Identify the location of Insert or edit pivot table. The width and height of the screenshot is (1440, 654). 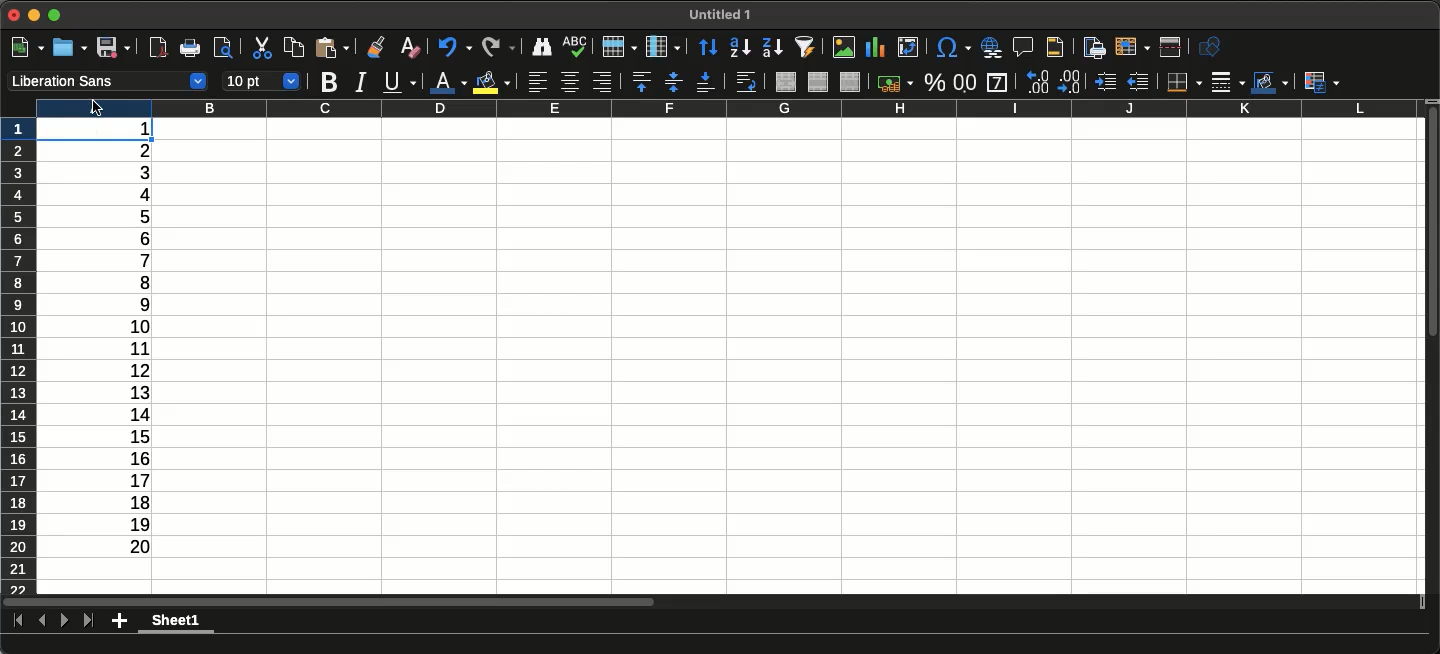
(908, 47).